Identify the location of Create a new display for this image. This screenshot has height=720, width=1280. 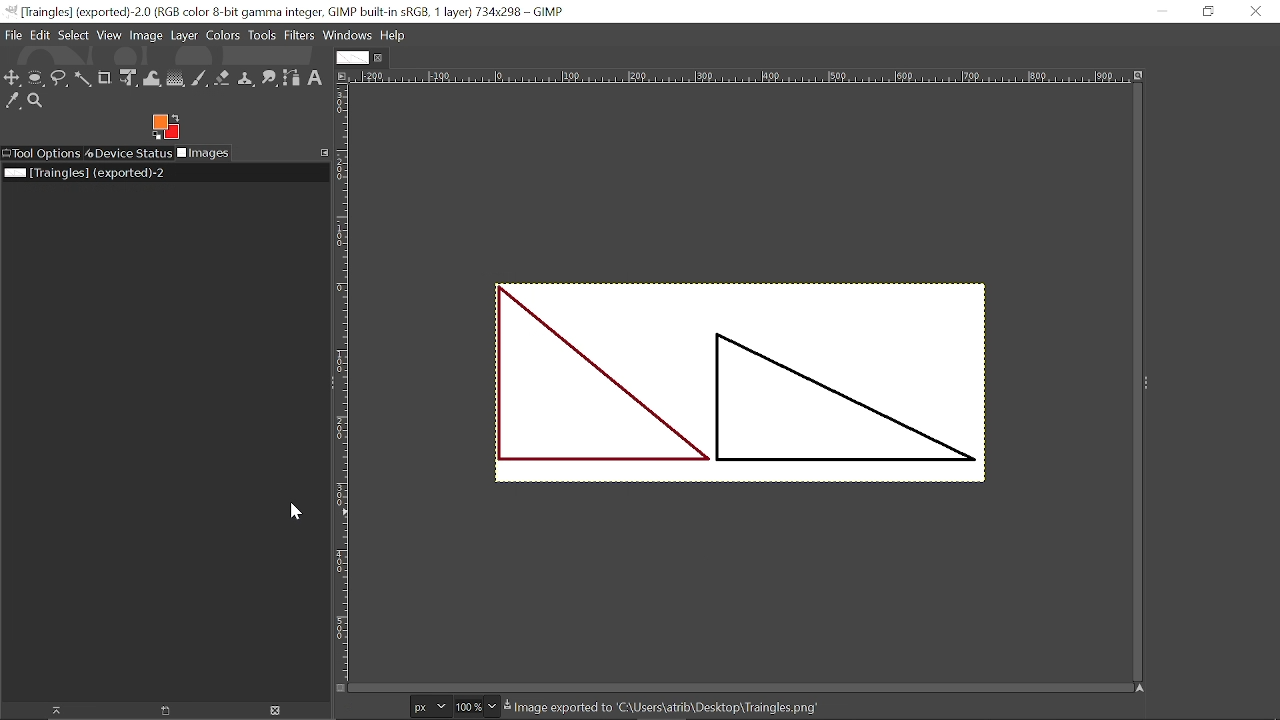
(161, 711).